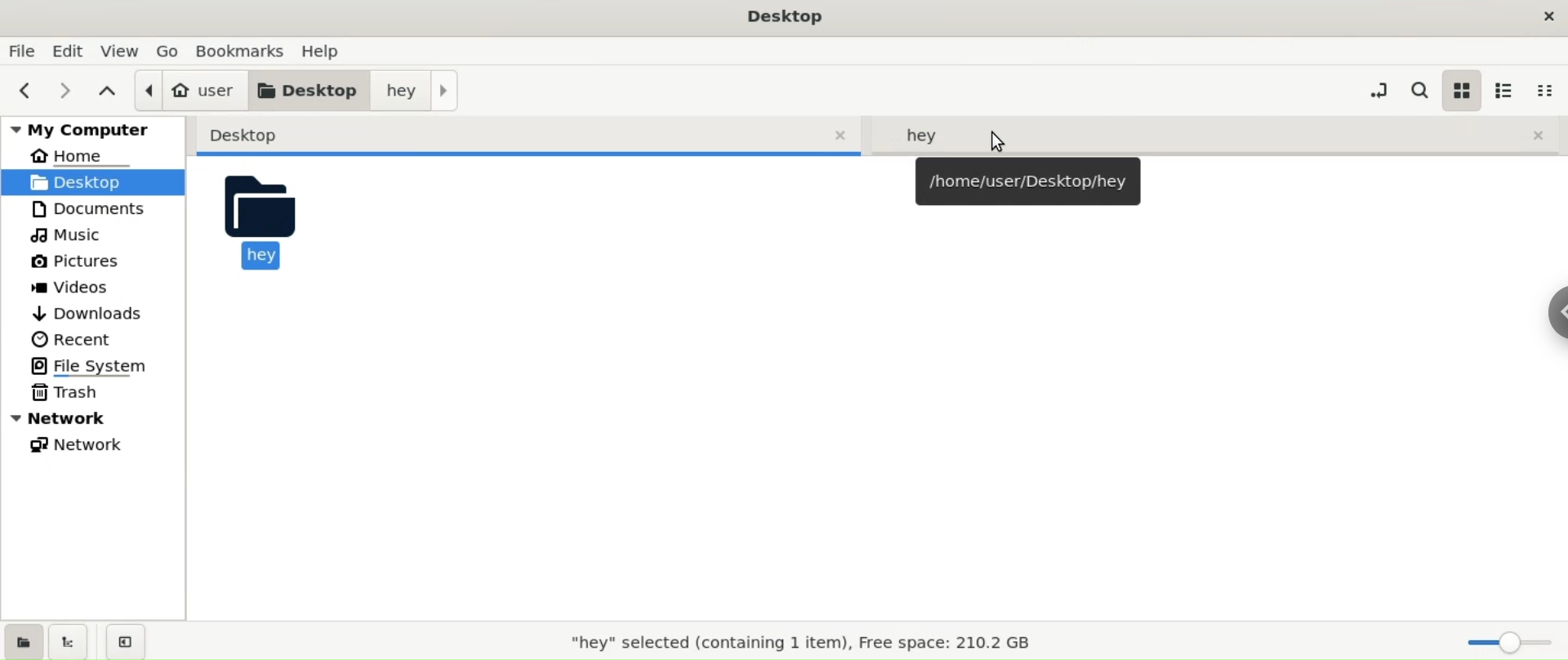 Image resolution: width=1568 pixels, height=660 pixels. I want to click on documents, so click(100, 209).